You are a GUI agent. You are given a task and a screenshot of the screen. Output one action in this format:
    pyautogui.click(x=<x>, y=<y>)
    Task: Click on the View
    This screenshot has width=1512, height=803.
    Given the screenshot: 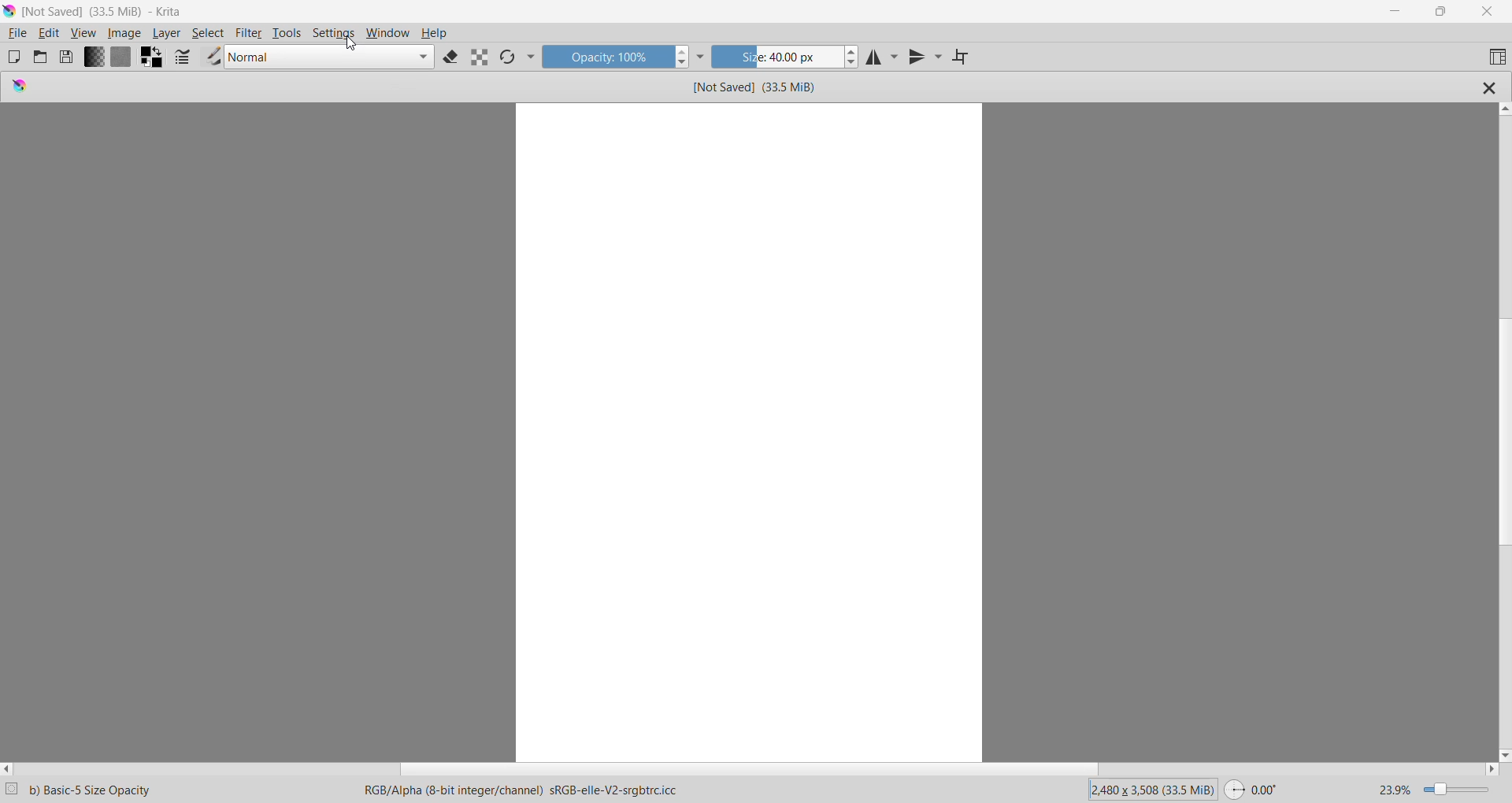 What is the action you would take?
    pyautogui.click(x=84, y=33)
    